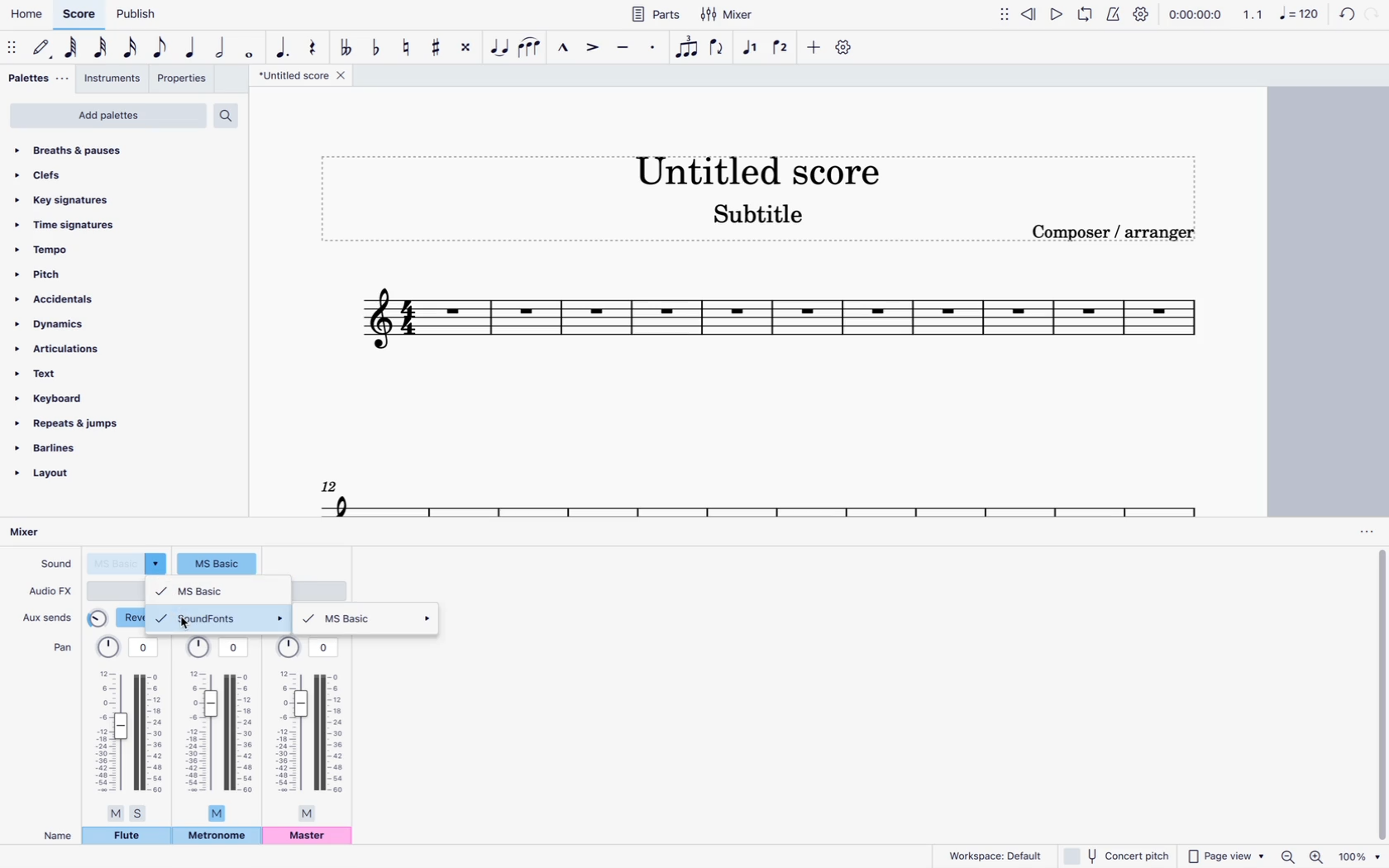  Describe the element at coordinates (1281, 13) in the screenshot. I see `scale` at that location.